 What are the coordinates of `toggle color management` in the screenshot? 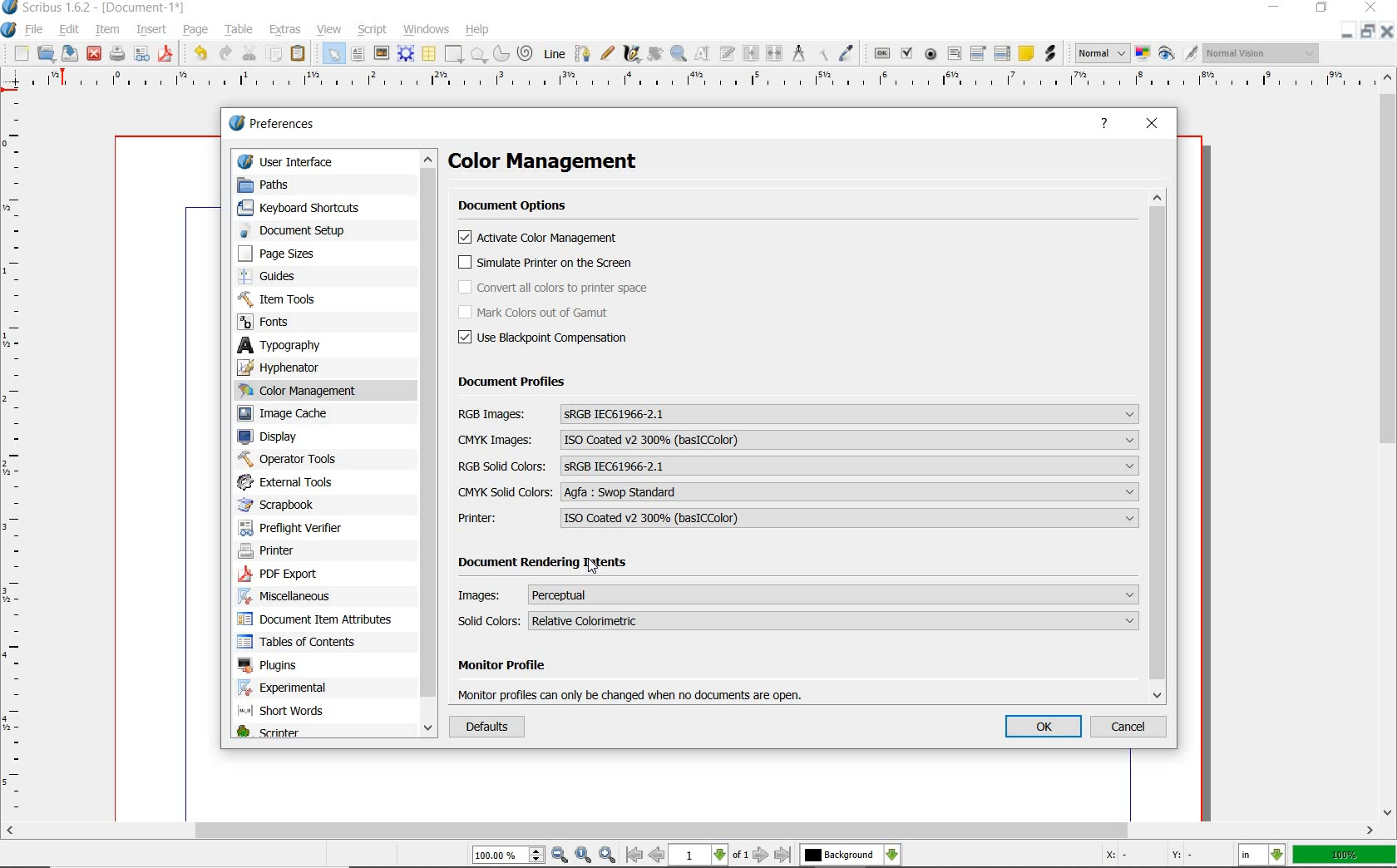 It's located at (1143, 52).